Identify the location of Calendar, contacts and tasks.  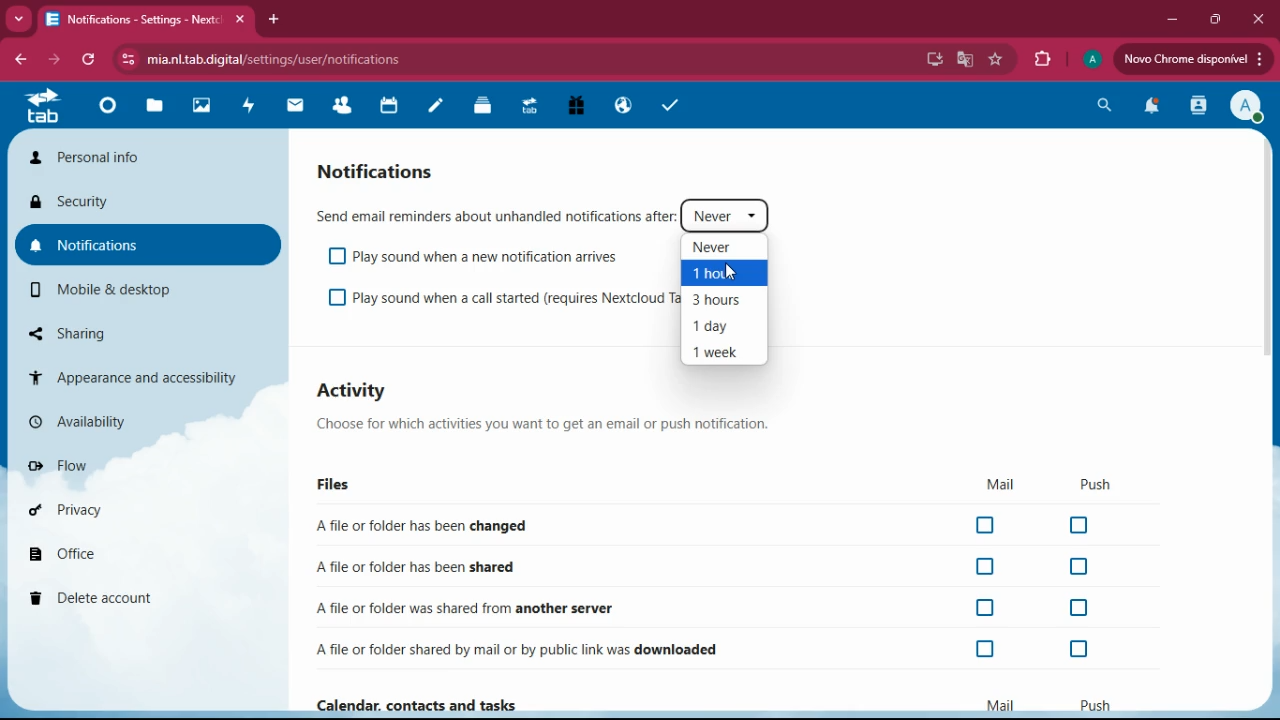
(417, 704).